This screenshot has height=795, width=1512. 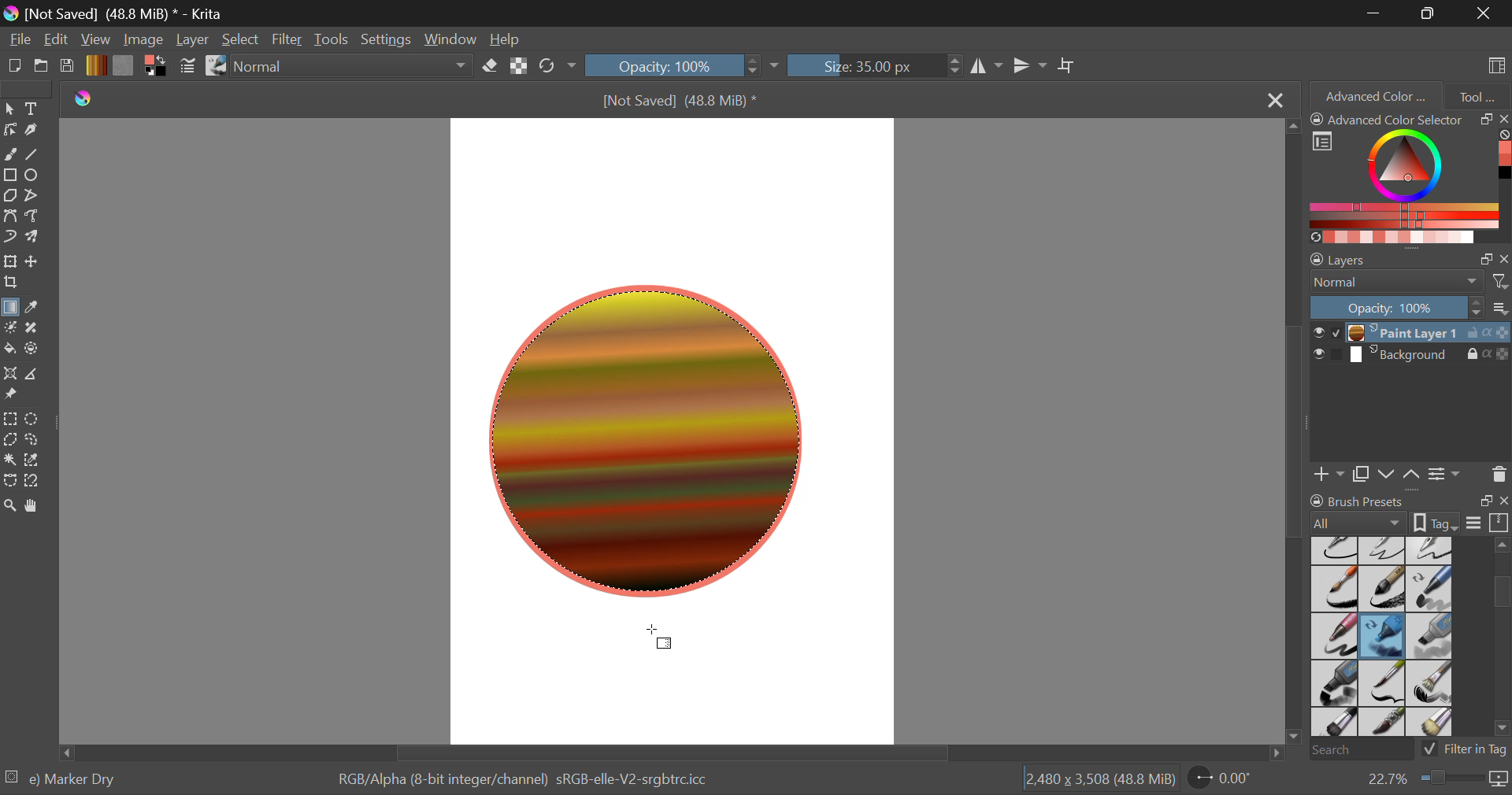 What do you see at coordinates (68, 67) in the screenshot?
I see `Save` at bounding box center [68, 67].